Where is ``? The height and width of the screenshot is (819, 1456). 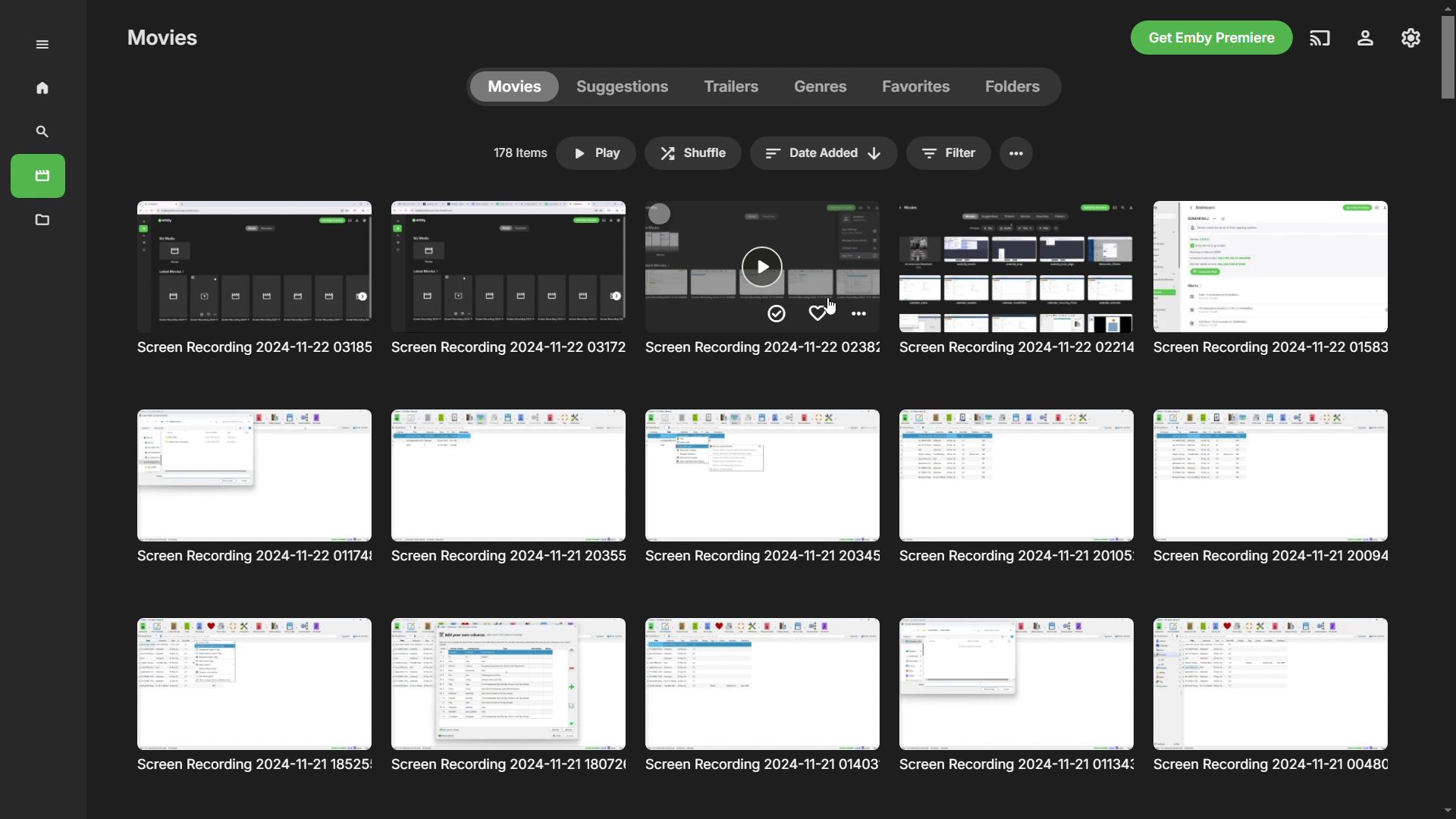  is located at coordinates (1271, 488).